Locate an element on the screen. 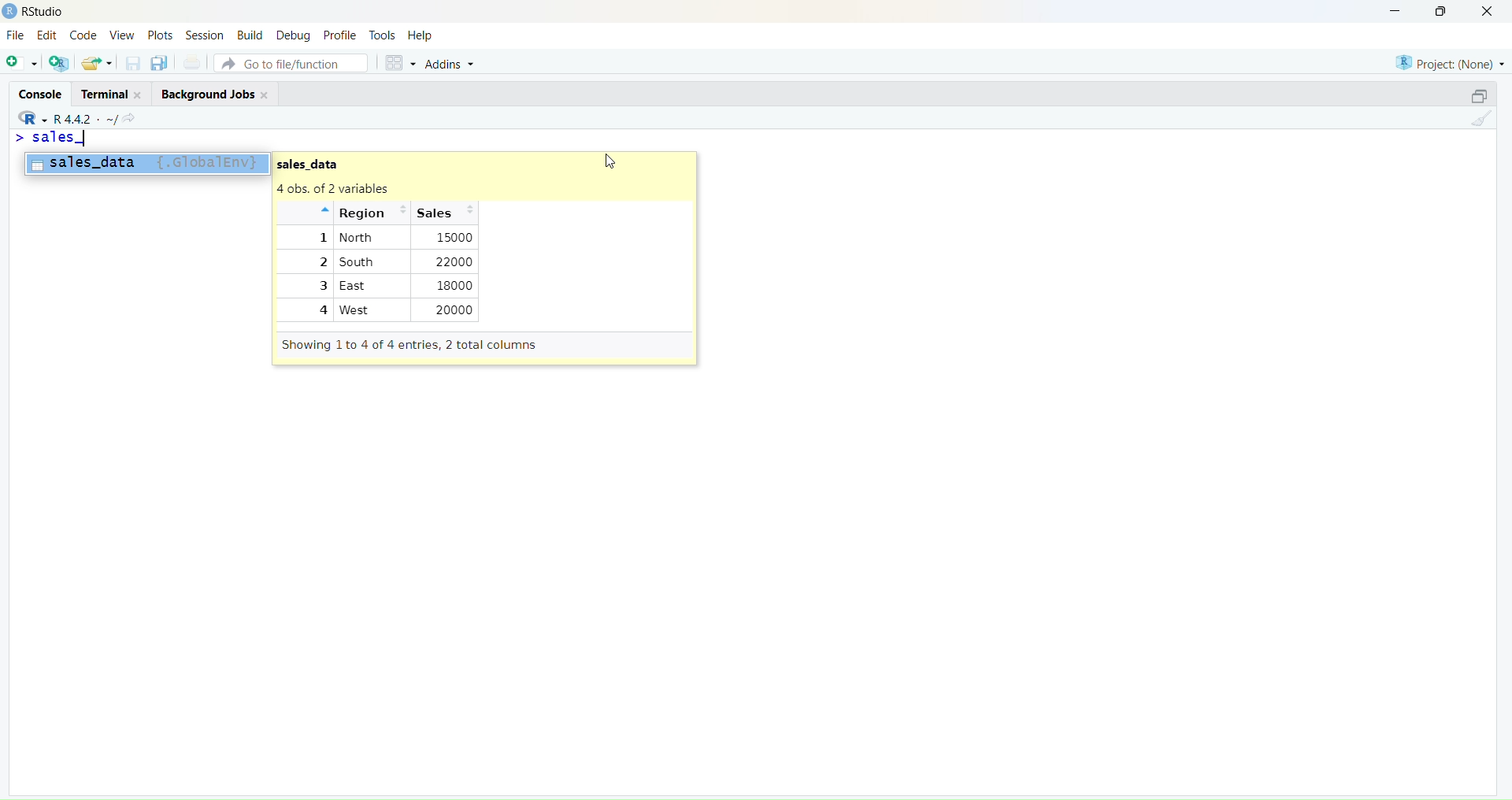 Image resolution: width=1512 pixels, height=800 pixels. cursor is located at coordinates (612, 158).